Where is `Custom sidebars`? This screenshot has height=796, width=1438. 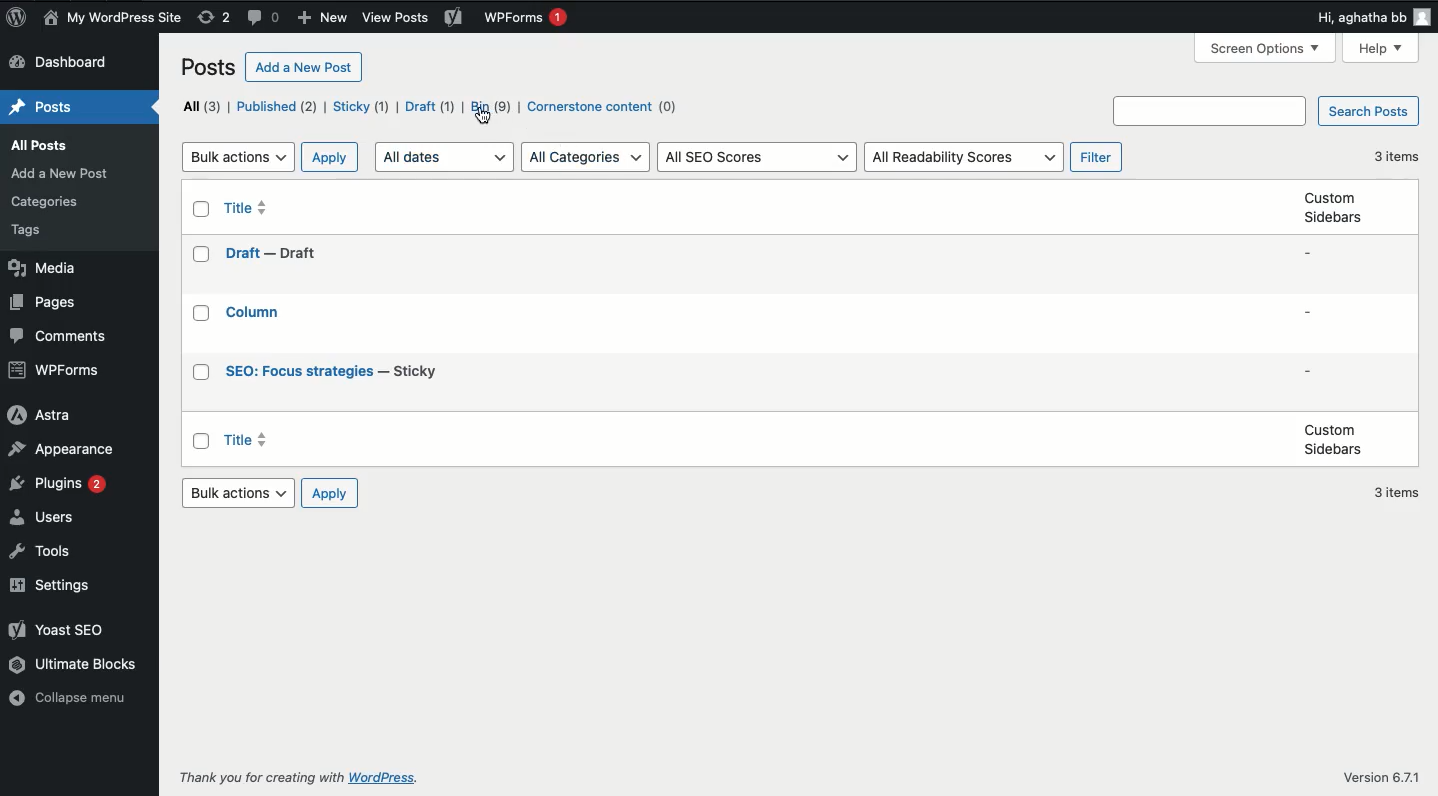
Custom sidebars is located at coordinates (1333, 208).